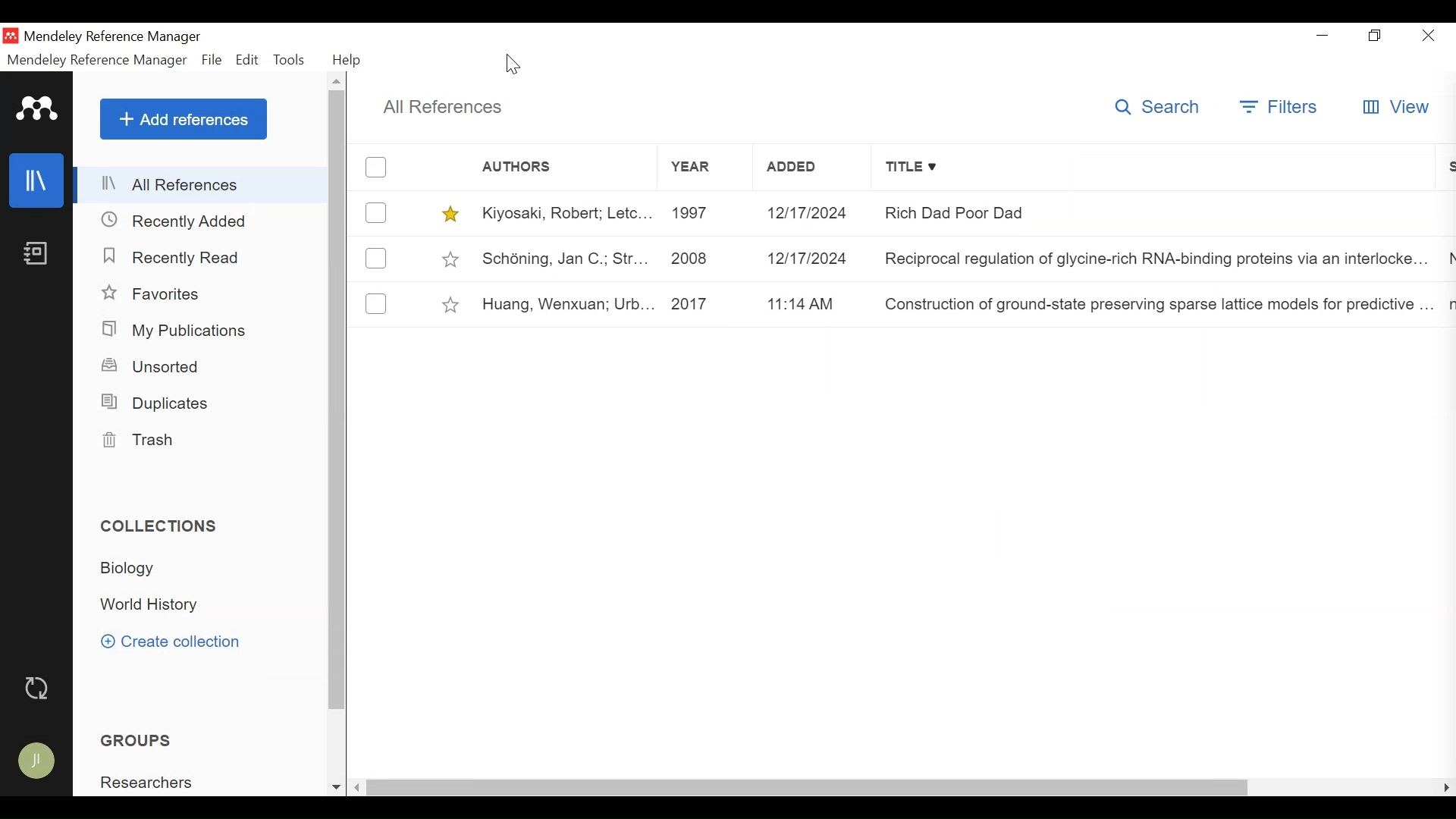 The image size is (1456, 819). Describe the element at coordinates (562, 213) in the screenshot. I see `Kiyosaki, Robert; Letc...` at that location.